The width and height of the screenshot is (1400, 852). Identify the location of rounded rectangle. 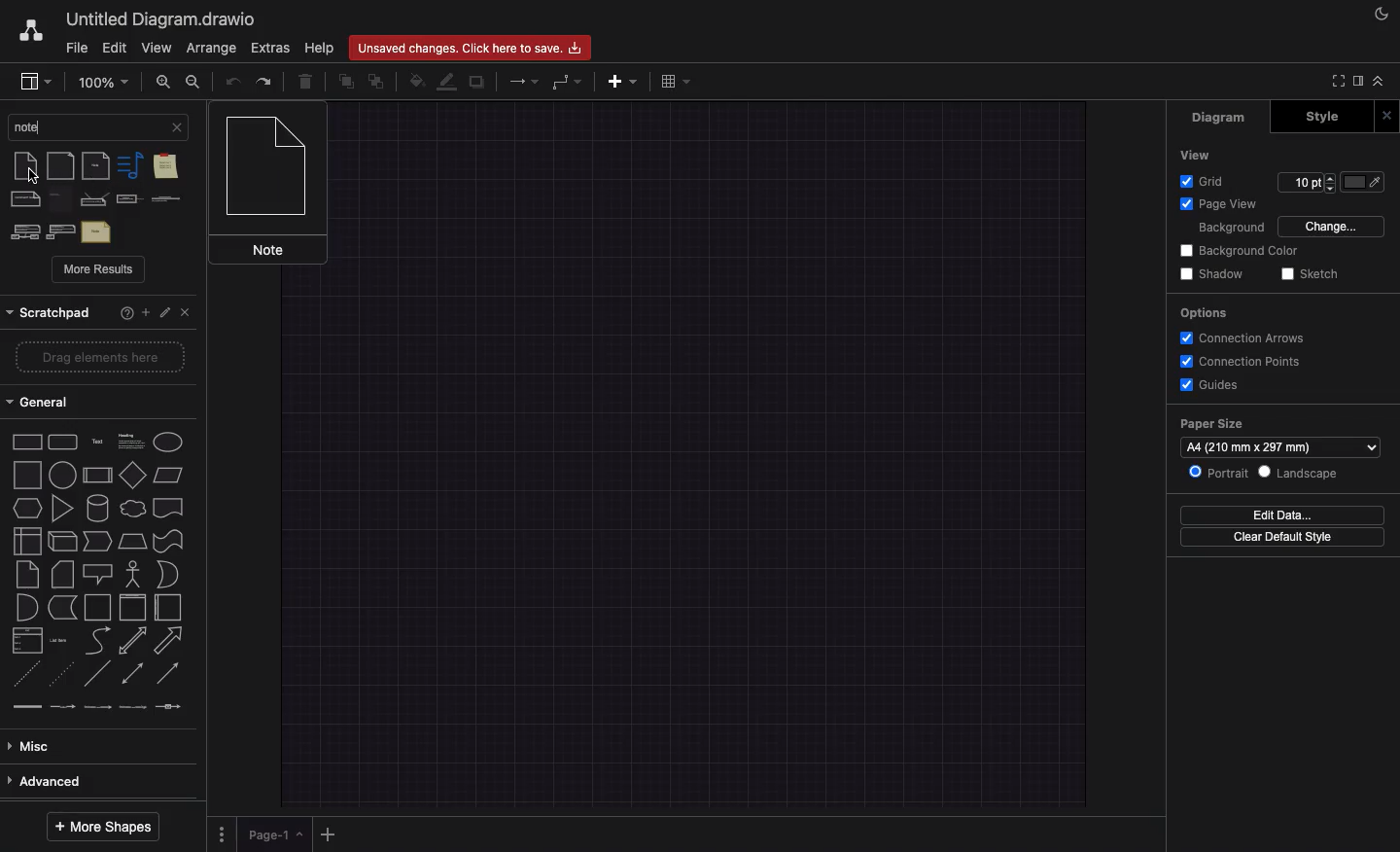
(63, 443).